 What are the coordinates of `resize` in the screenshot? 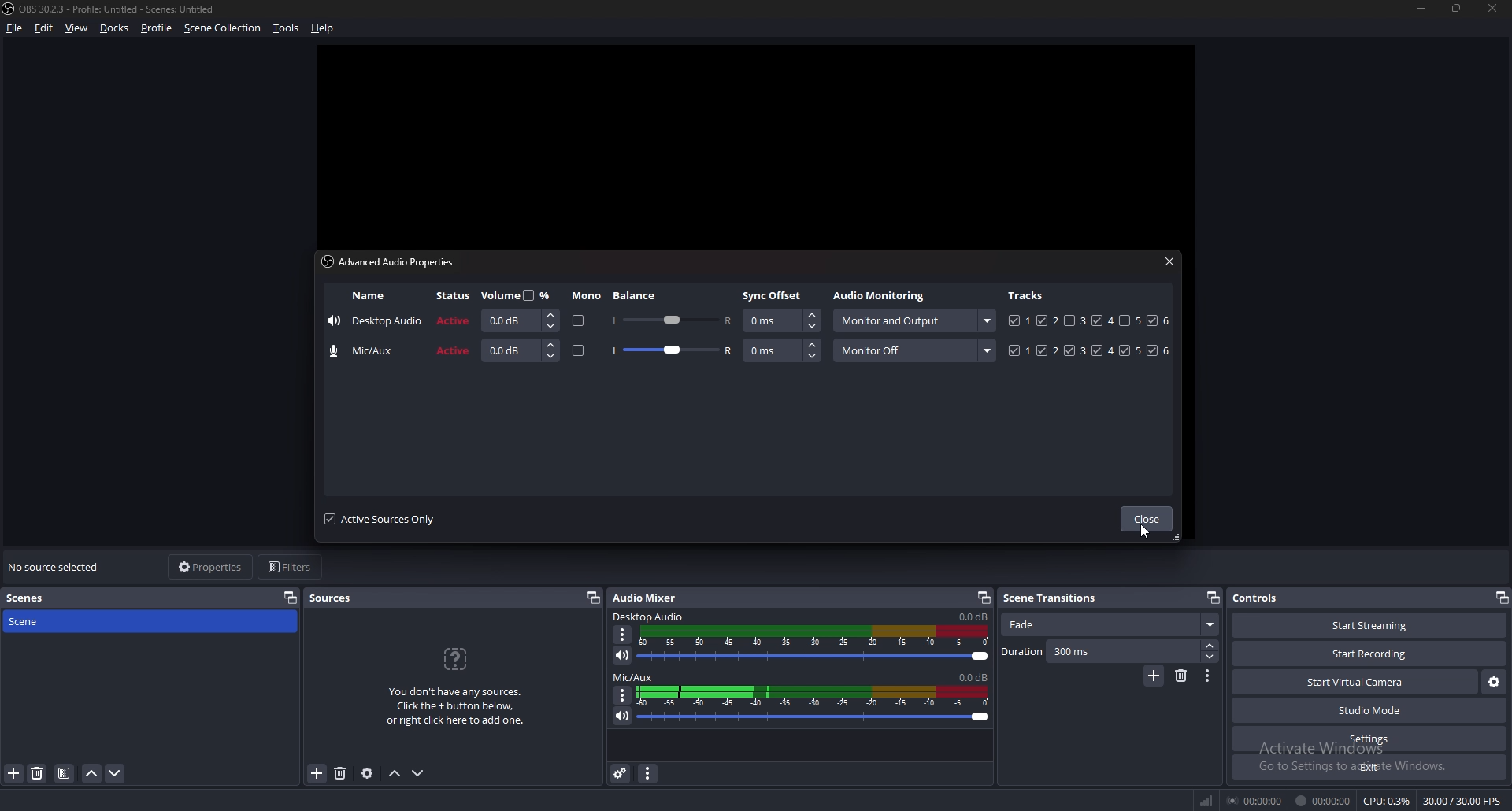 It's located at (1459, 9).